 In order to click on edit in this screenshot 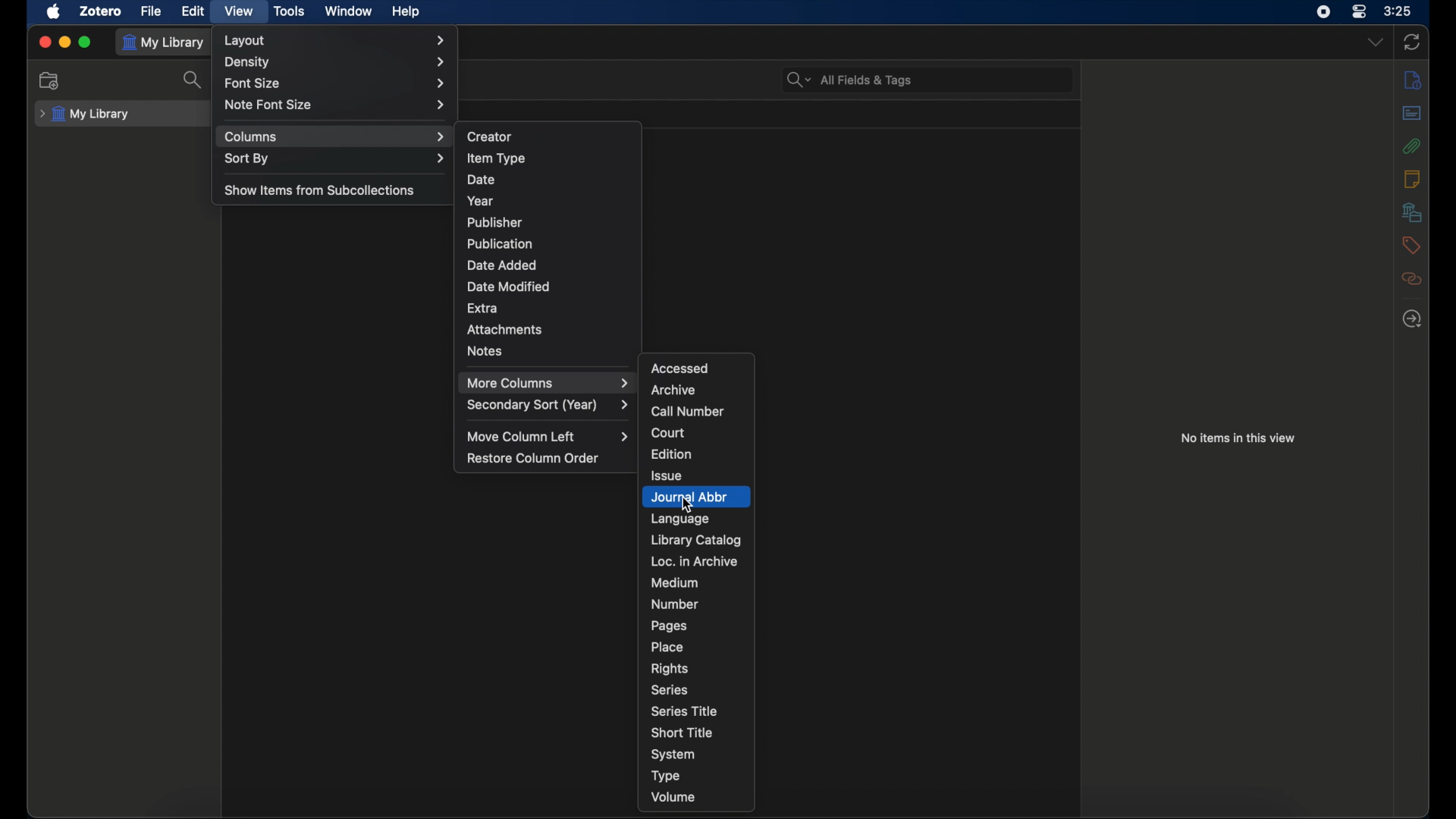, I will do `click(192, 12)`.